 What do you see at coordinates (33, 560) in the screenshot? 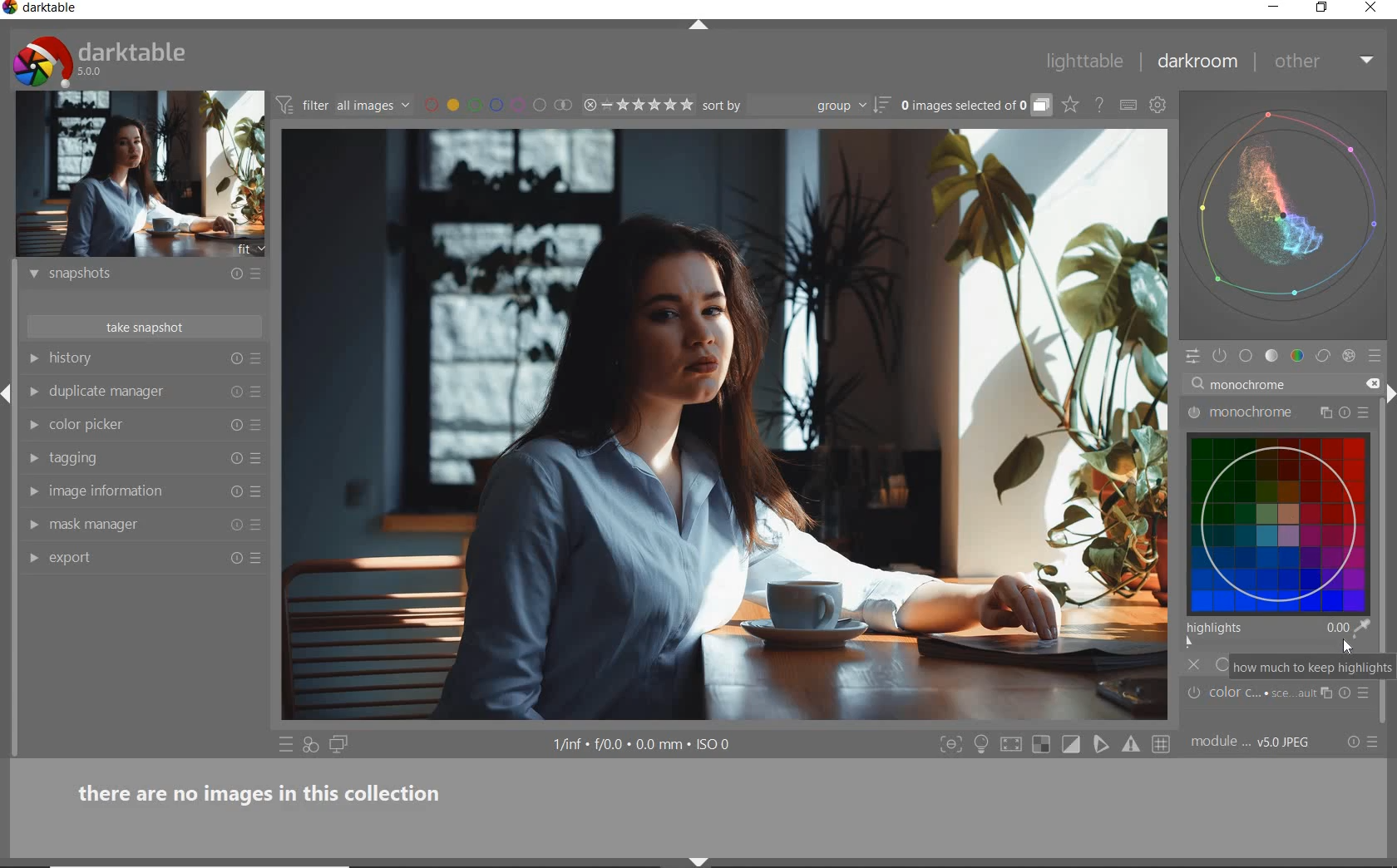
I see `show module` at bounding box center [33, 560].